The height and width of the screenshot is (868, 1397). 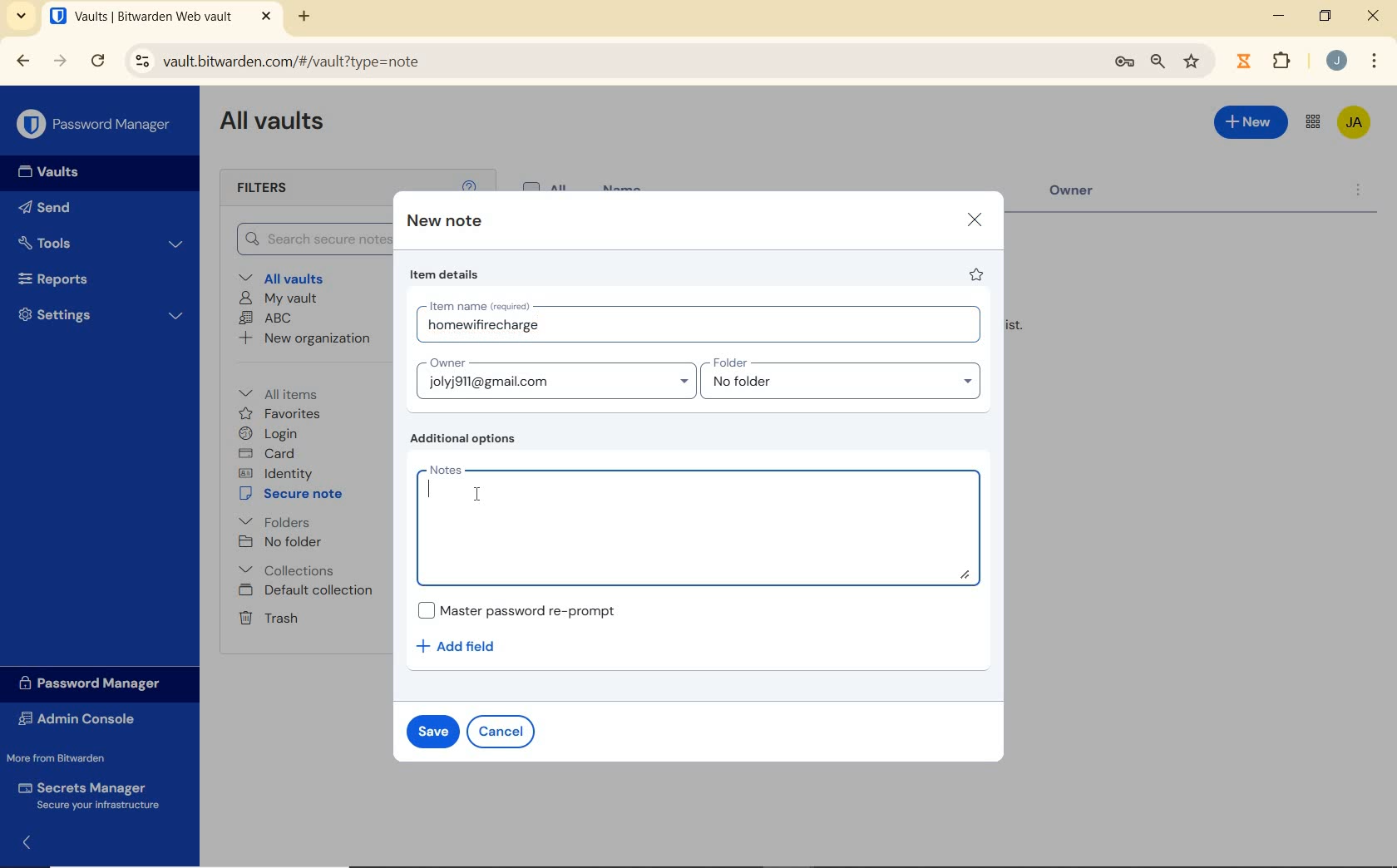 What do you see at coordinates (703, 524) in the screenshot?
I see `notes` at bounding box center [703, 524].